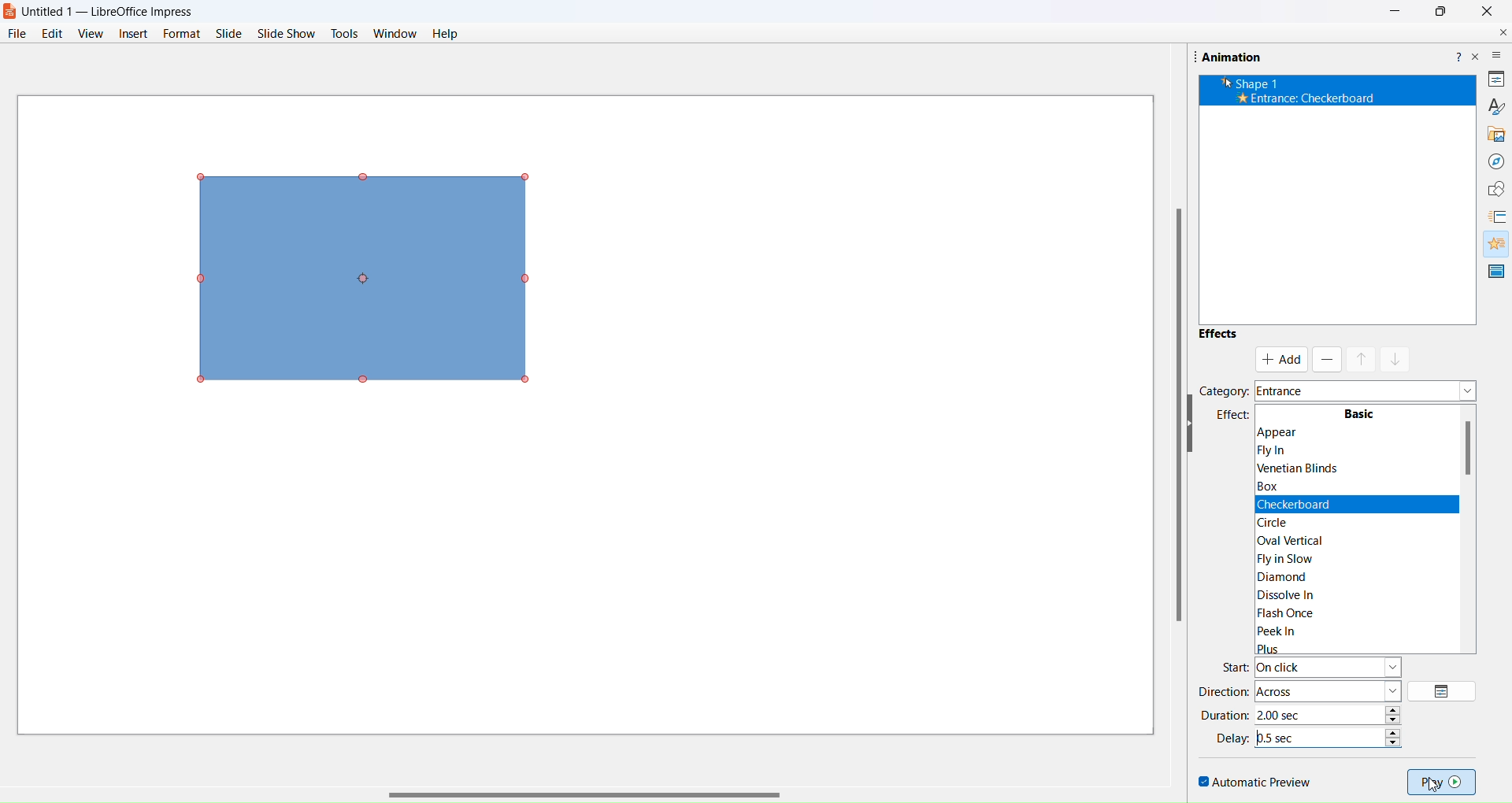  What do you see at coordinates (1301, 557) in the screenshot?
I see `|Fly in Slow` at bounding box center [1301, 557].